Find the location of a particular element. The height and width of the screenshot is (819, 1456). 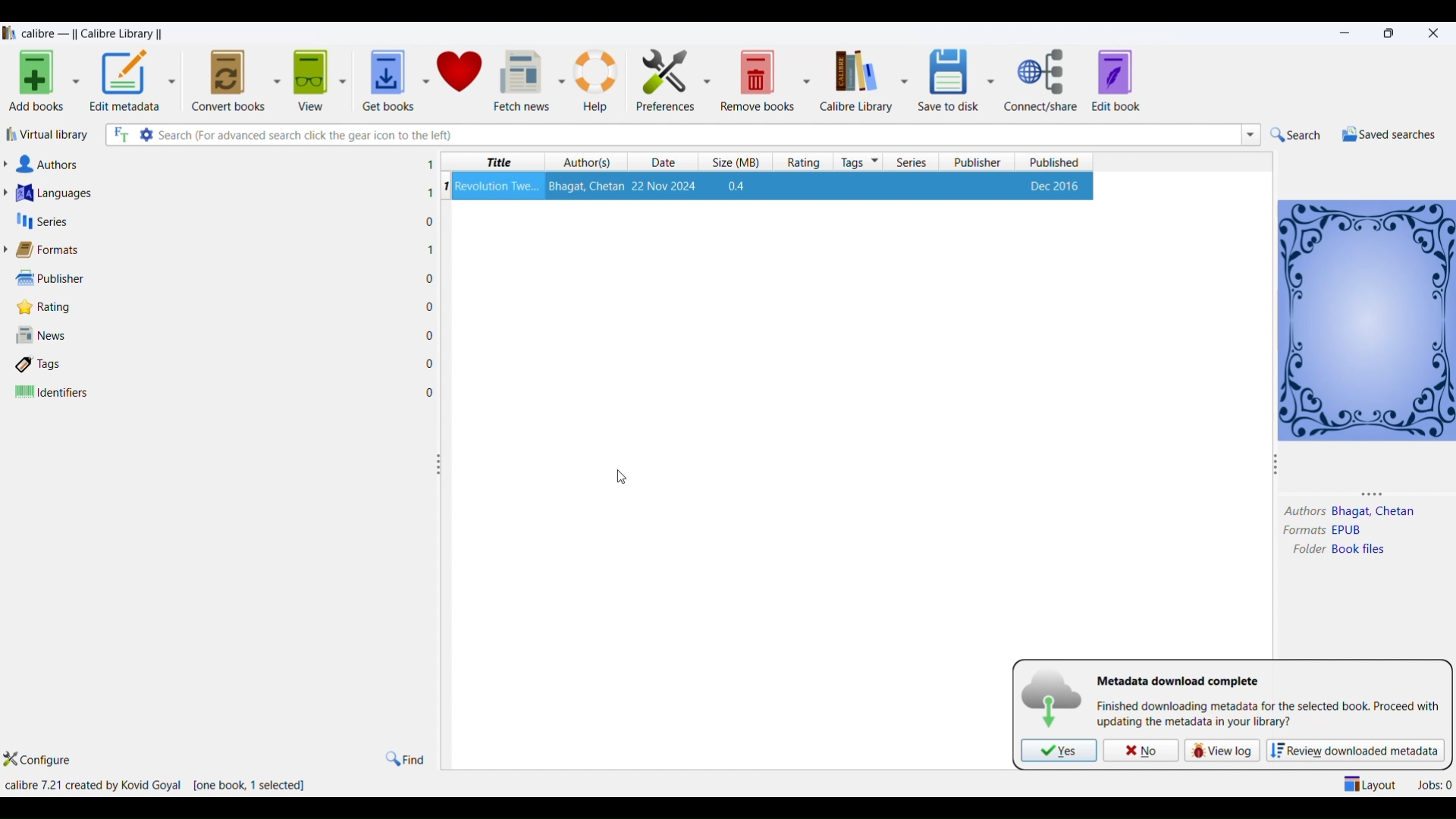

Connect/share is located at coordinates (1043, 80).